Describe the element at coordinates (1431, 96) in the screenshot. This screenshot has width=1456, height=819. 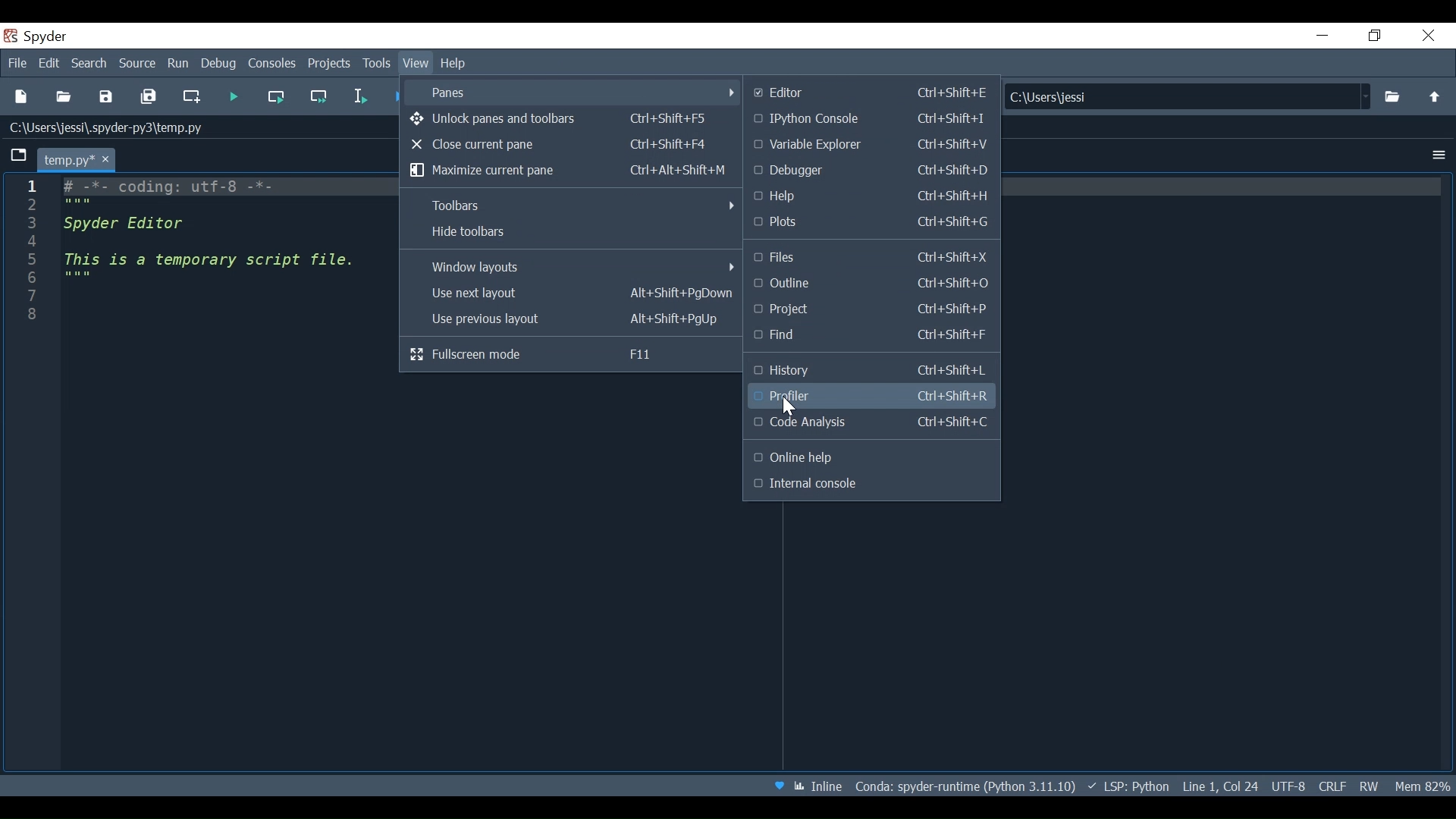
I see `move up` at that location.